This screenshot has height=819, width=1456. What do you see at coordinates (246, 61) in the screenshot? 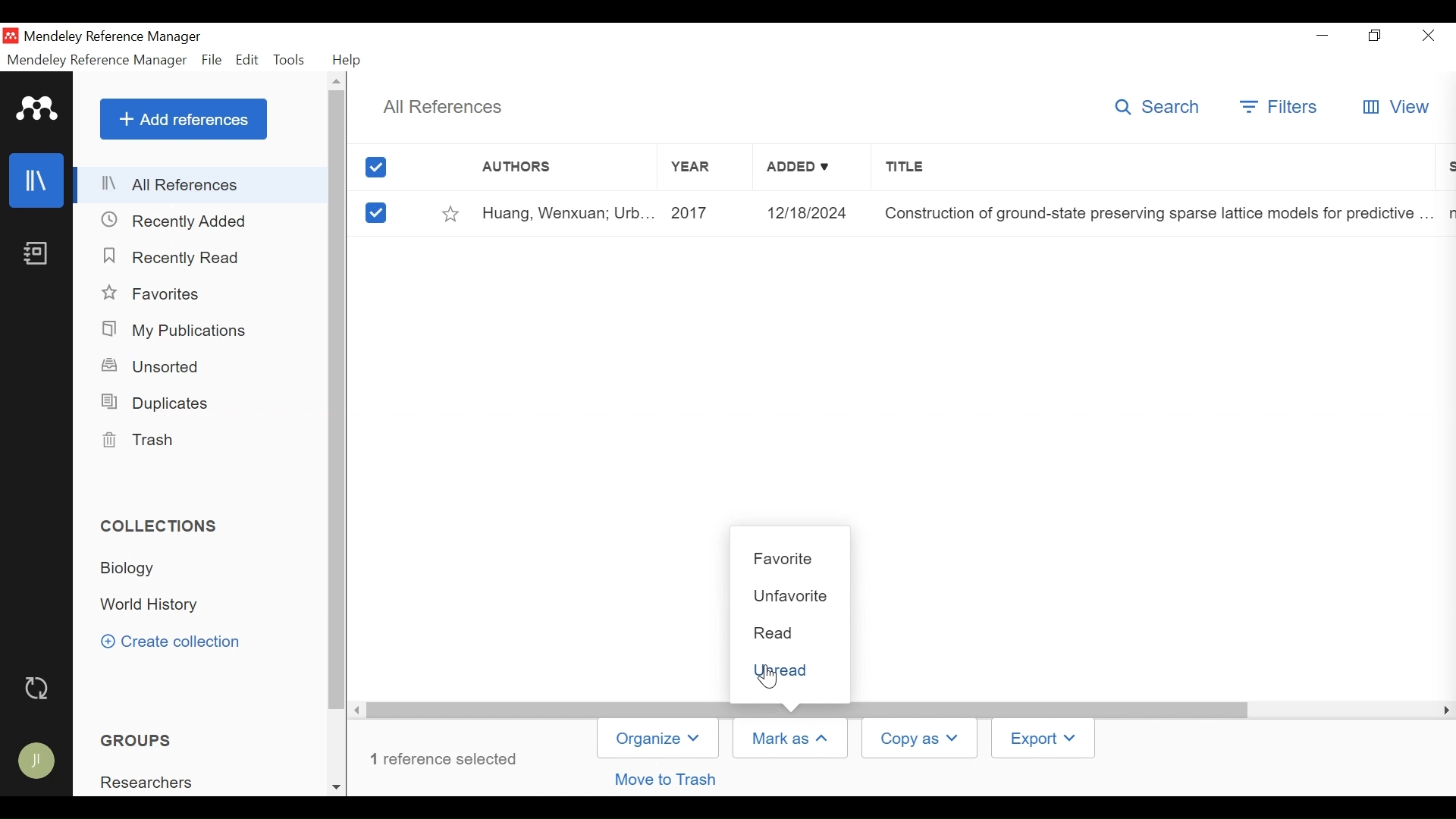
I see `Edit` at bounding box center [246, 61].